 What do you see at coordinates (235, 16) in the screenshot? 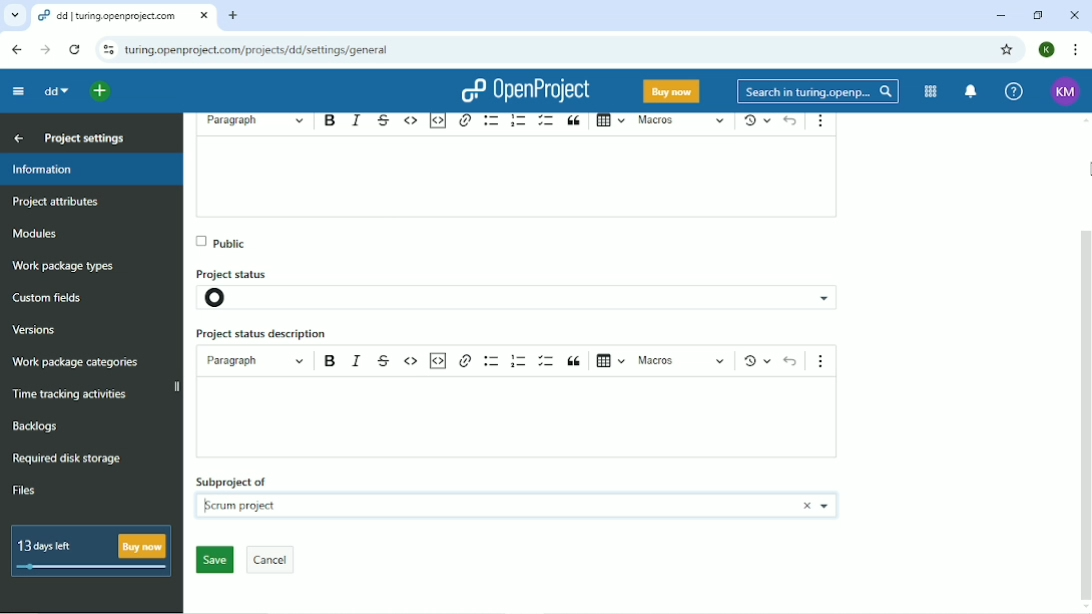
I see `New tab` at bounding box center [235, 16].